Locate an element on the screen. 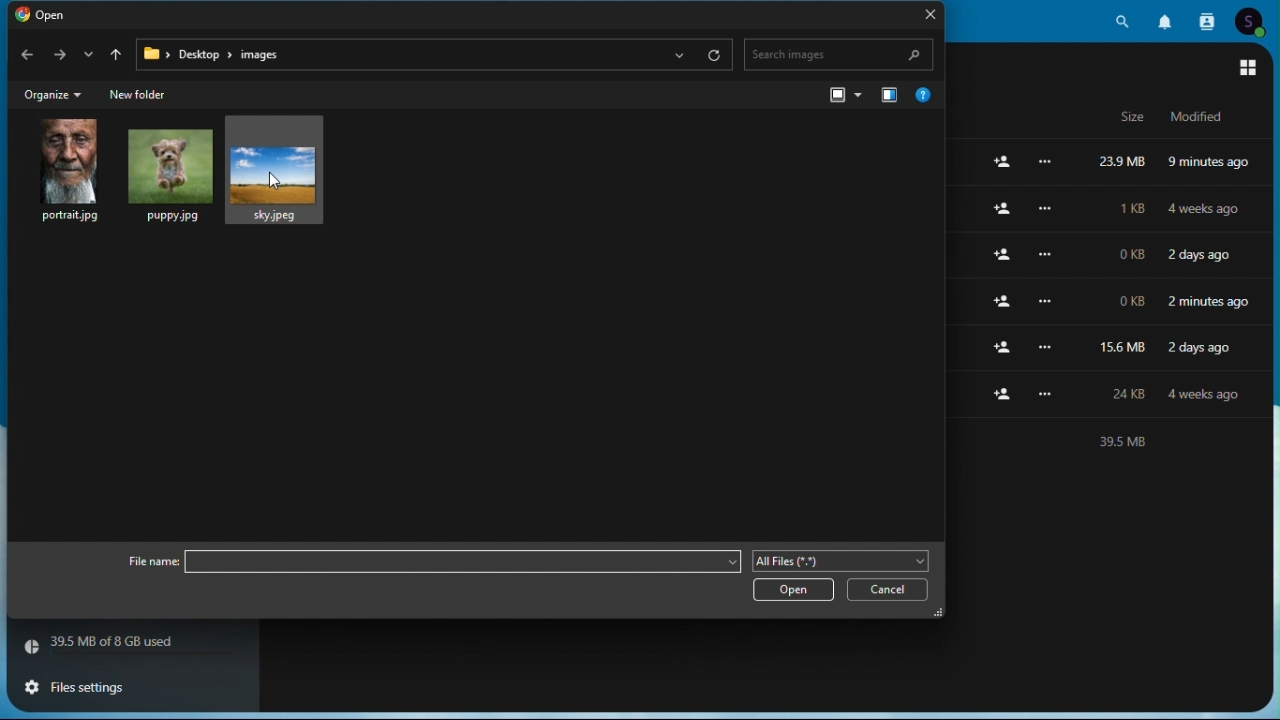  Files is located at coordinates (1111, 344).